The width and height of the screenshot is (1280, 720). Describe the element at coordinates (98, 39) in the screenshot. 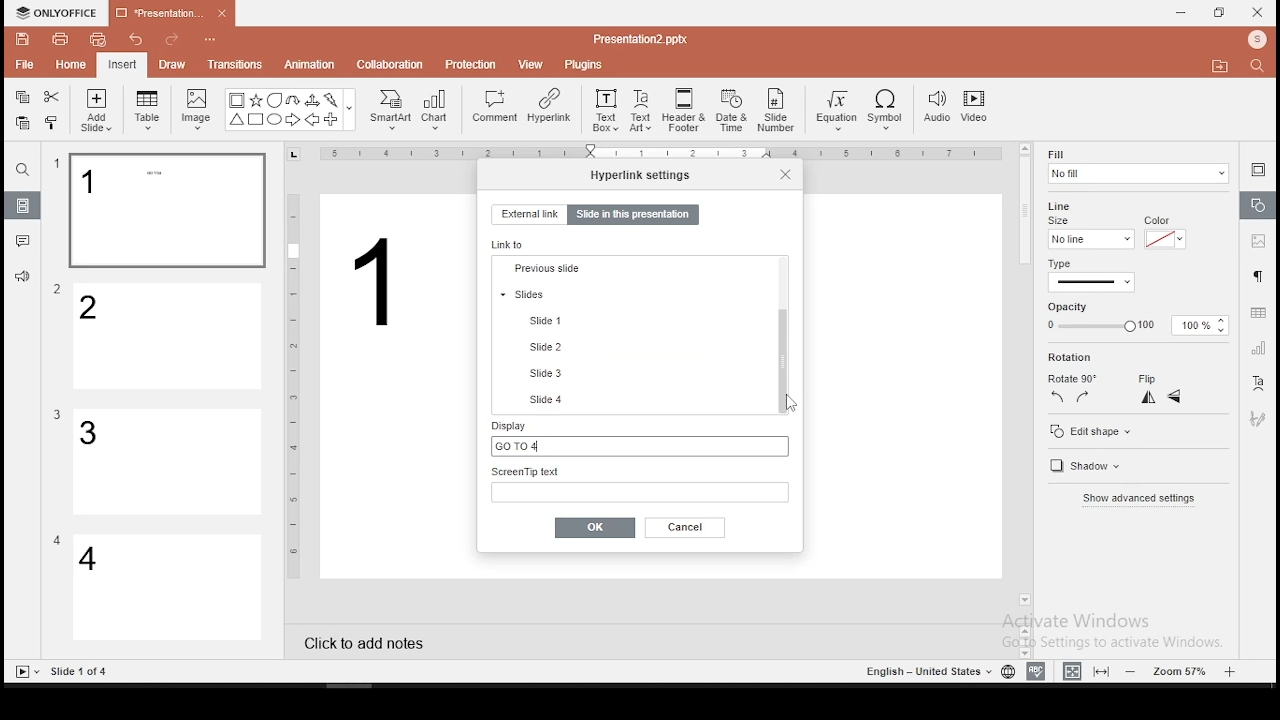

I see `quick print` at that location.